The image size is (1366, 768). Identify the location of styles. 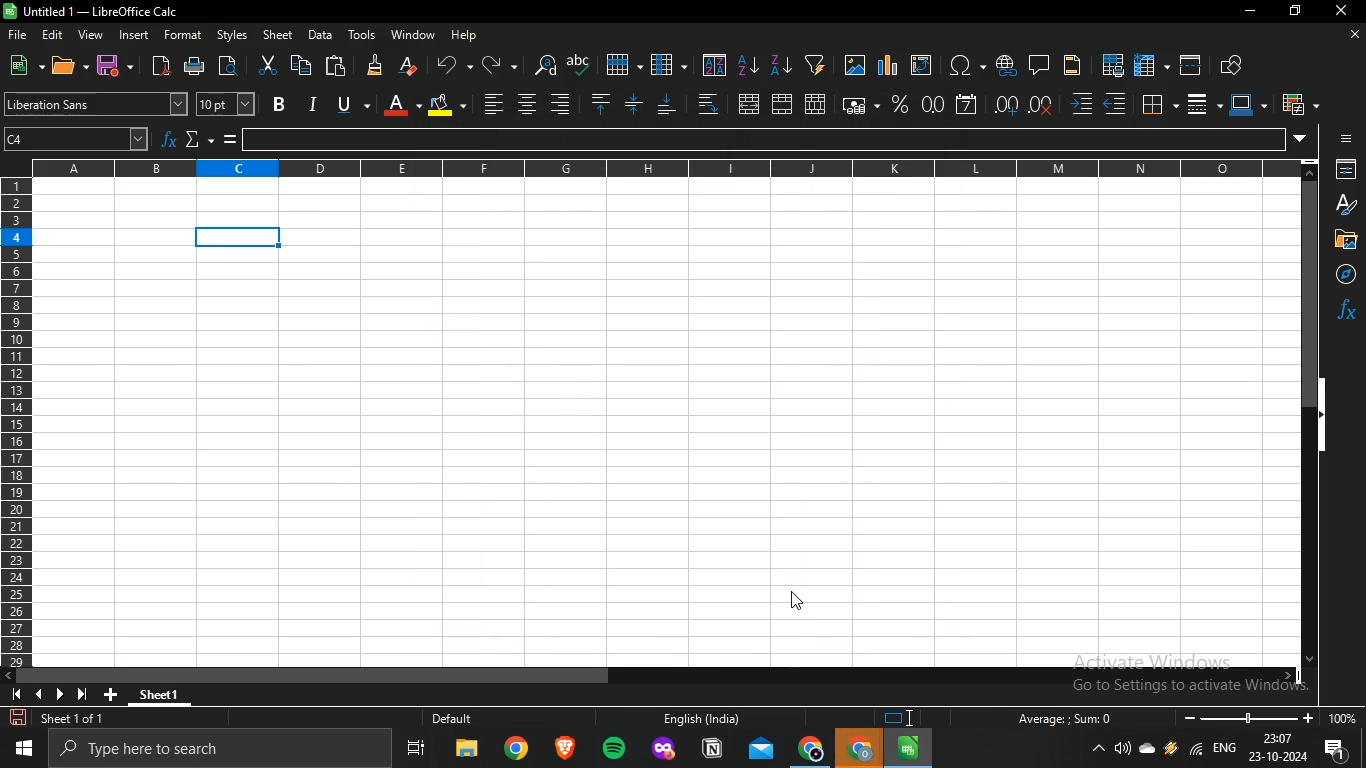
(231, 36).